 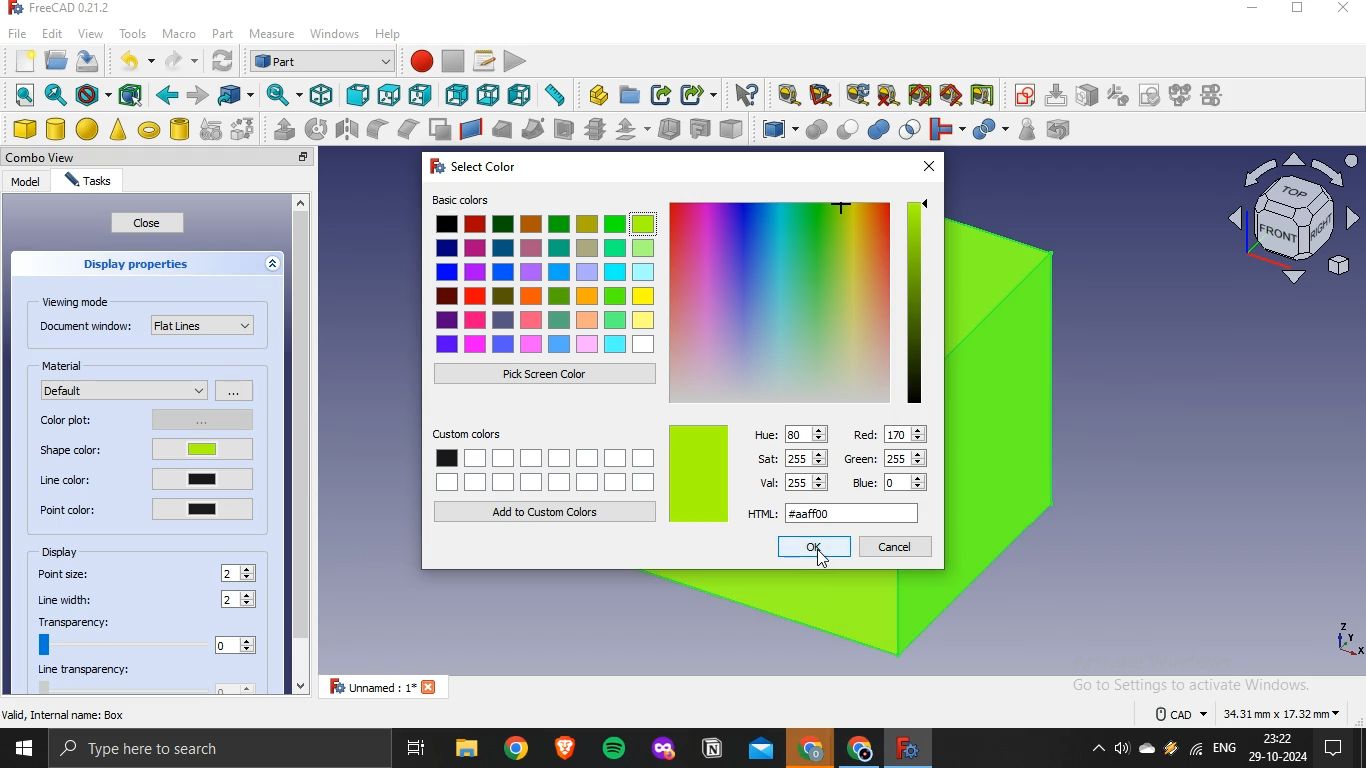 What do you see at coordinates (919, 95) in the screenshot?
I see `toggle all` at bounding box center [919, 95].